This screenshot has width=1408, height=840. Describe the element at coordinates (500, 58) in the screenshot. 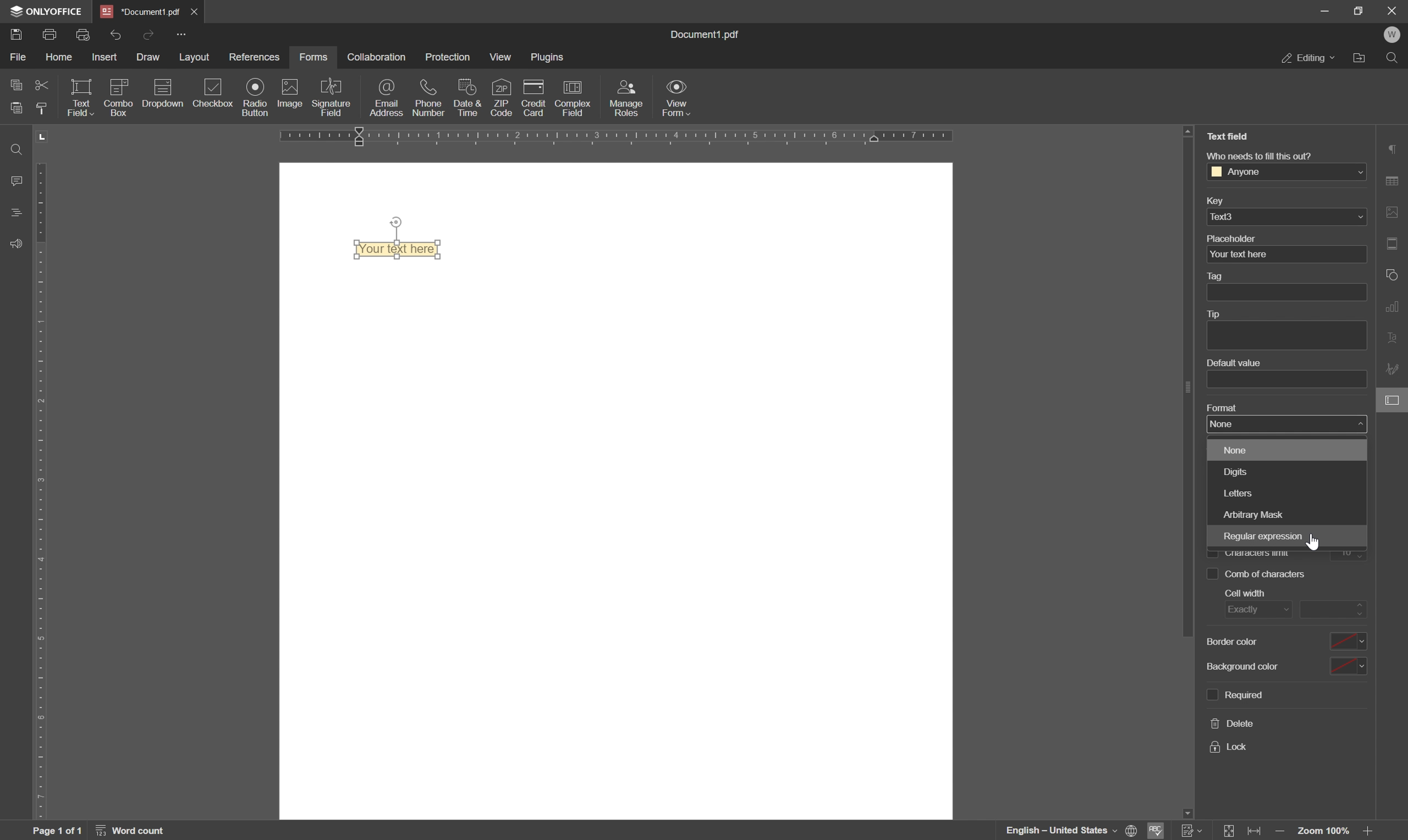

I see `view` at that location.